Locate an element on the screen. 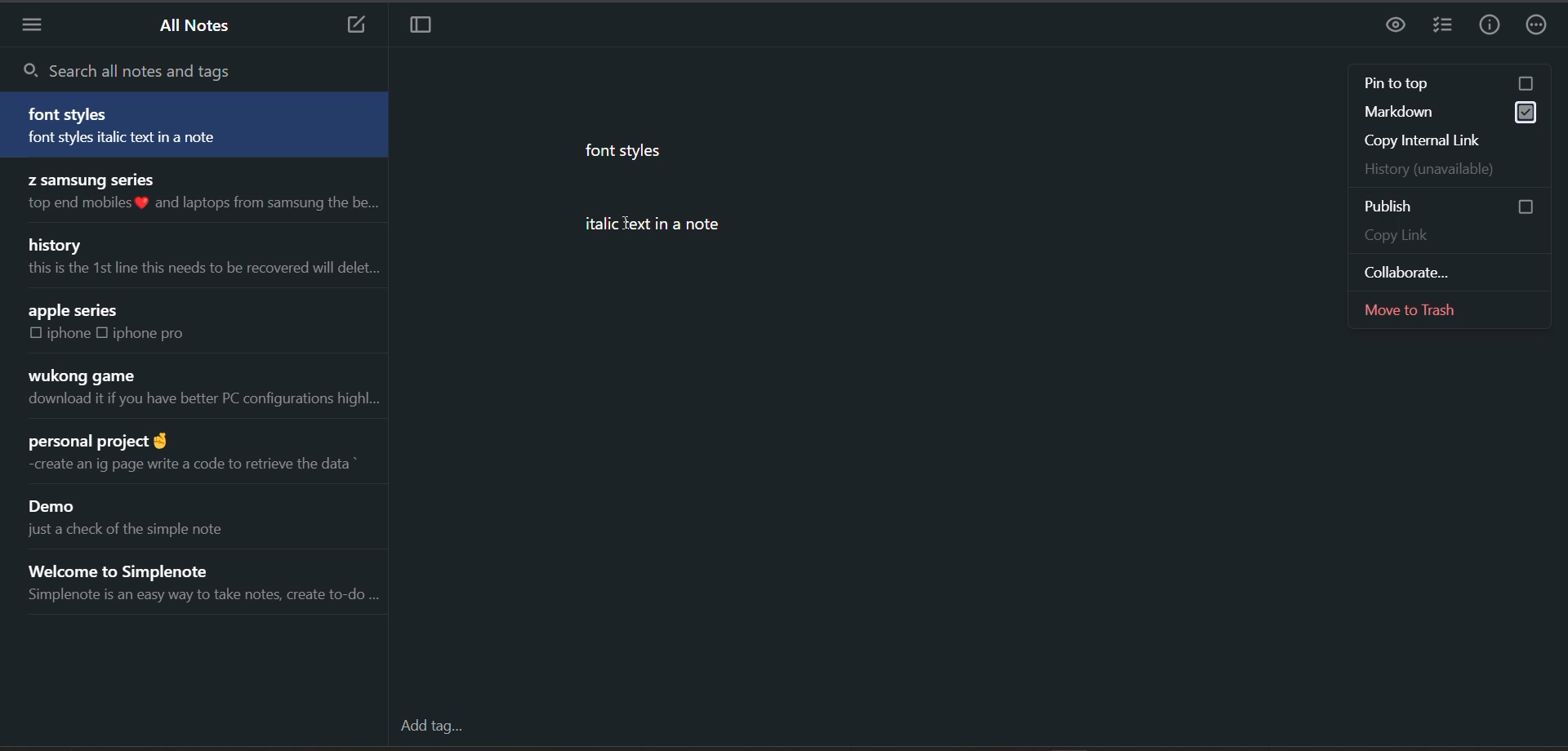 This screenshot has width=1568, height=751. note title and preview is located at coordinates (195, 124).